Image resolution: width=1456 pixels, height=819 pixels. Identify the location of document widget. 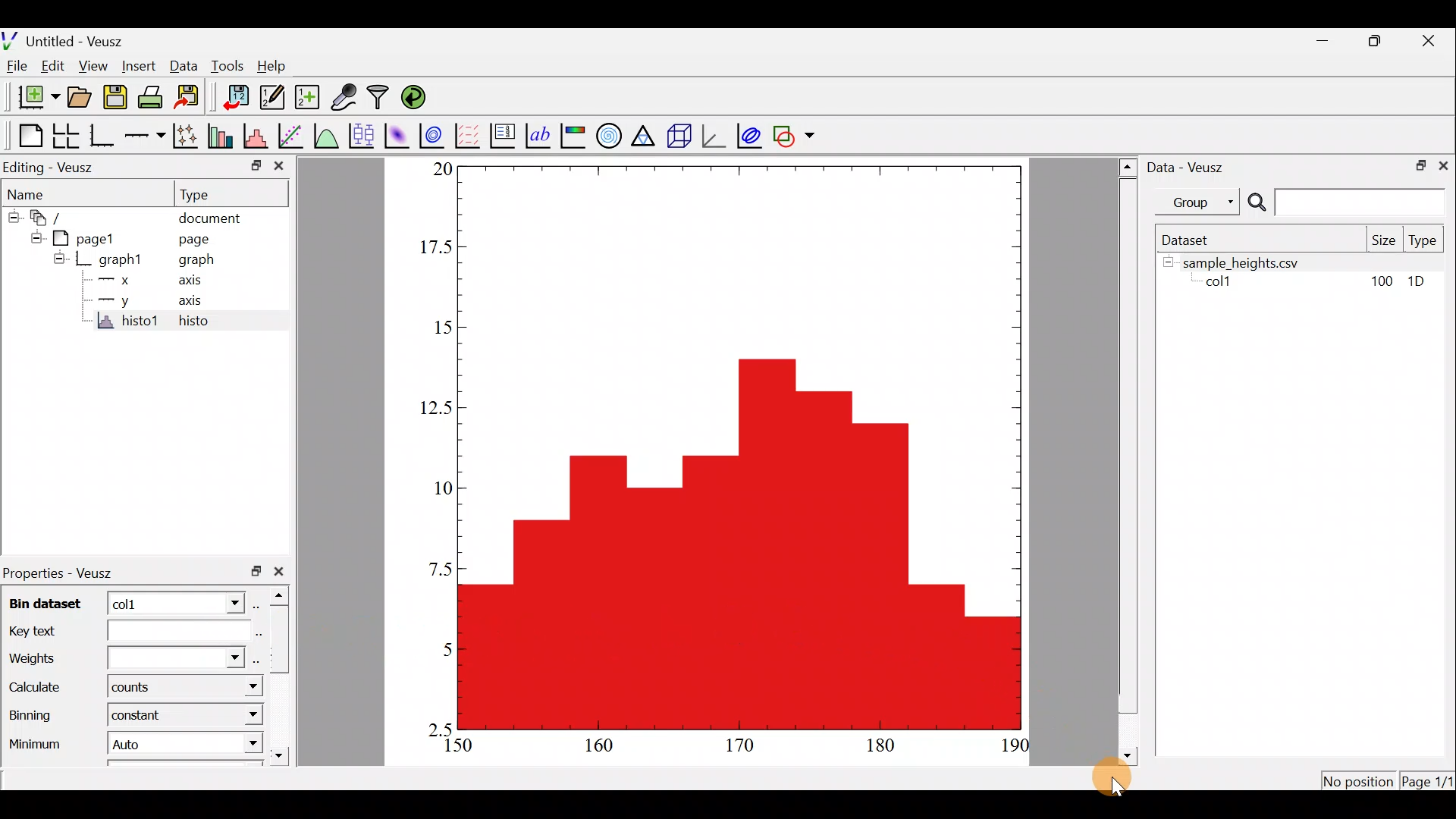
(49, 219).